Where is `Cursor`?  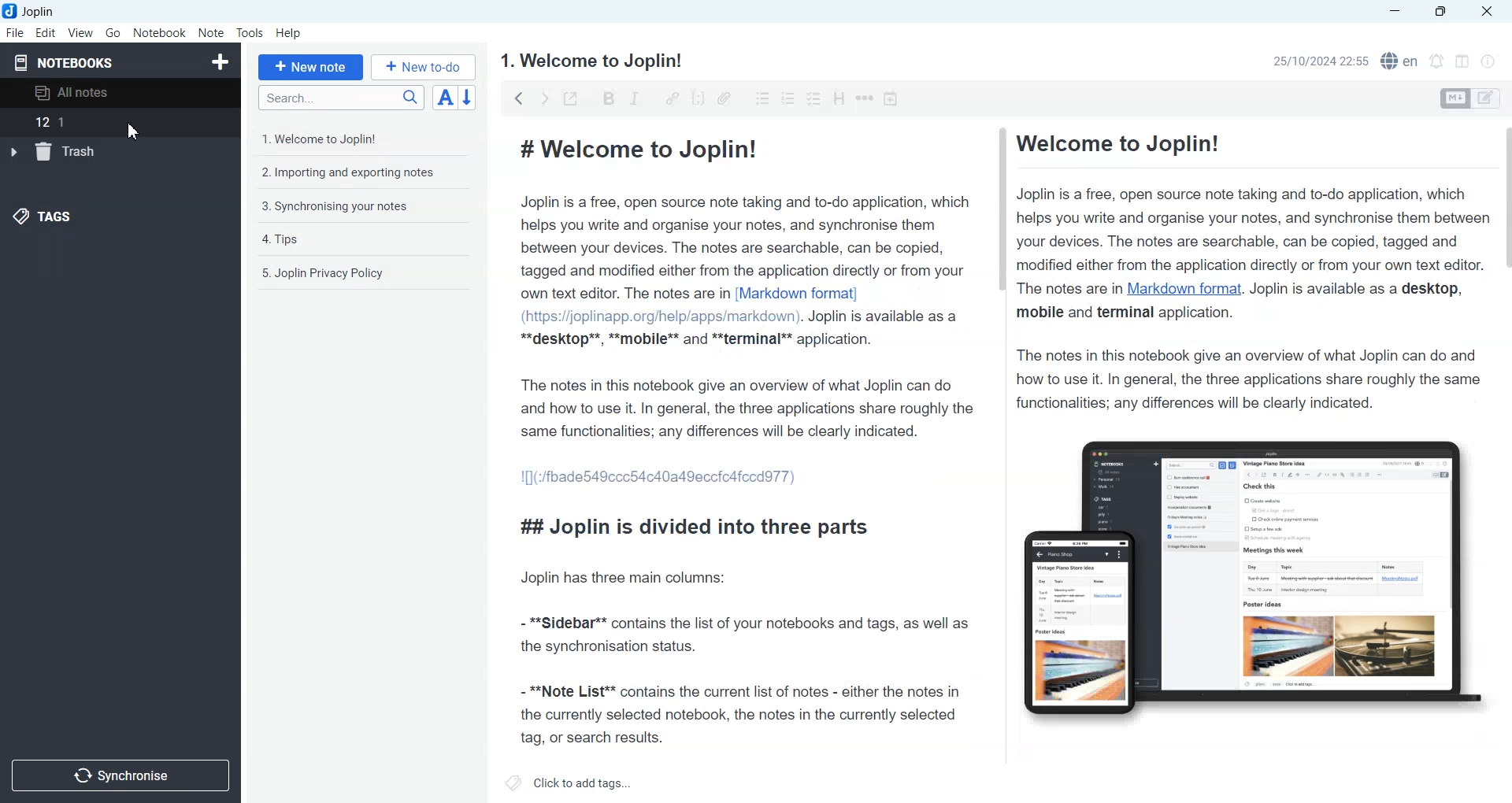 Cursor is located at coordinates (135, 131).